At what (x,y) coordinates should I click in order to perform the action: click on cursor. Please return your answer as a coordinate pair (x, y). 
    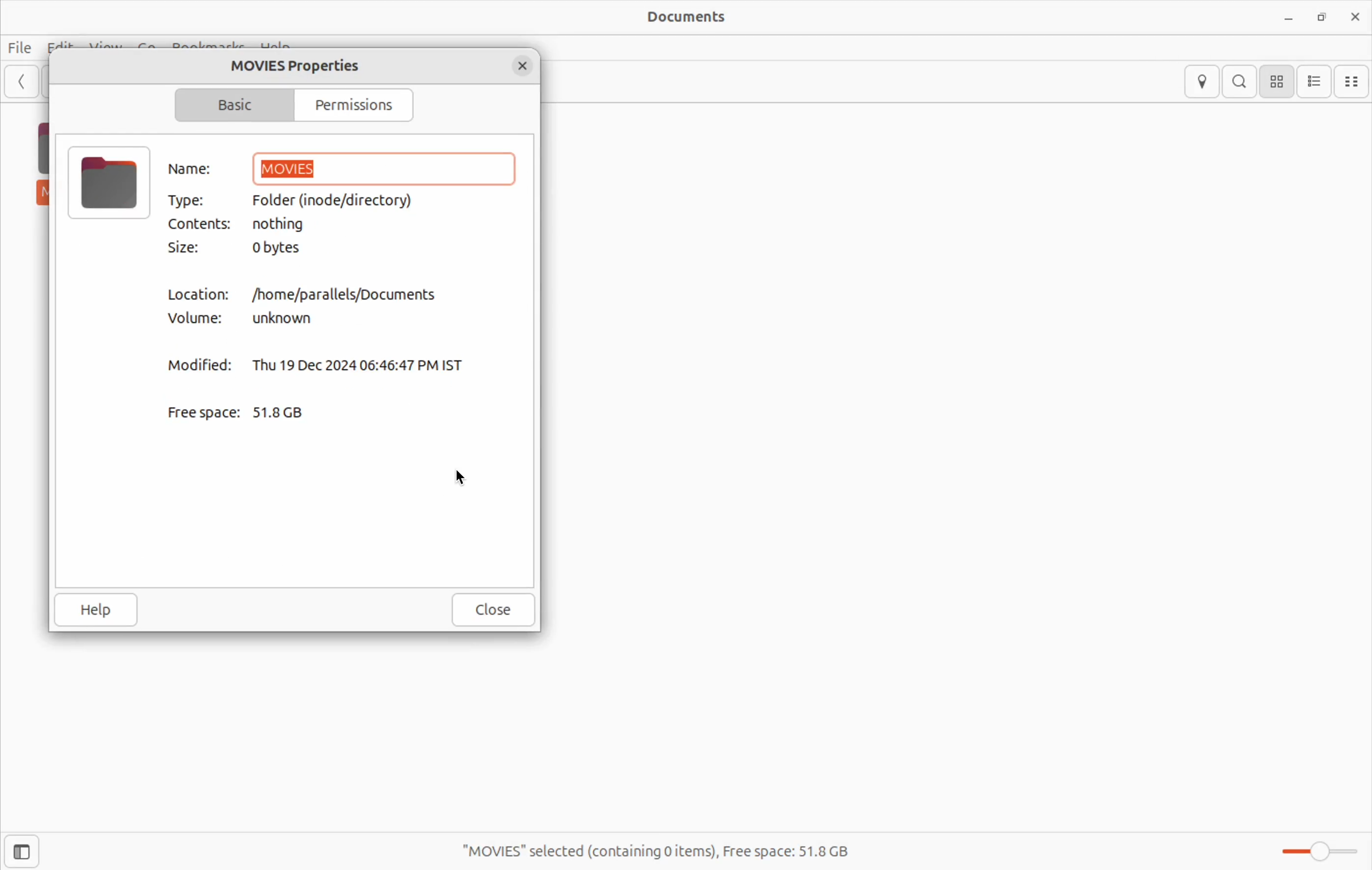
    Looking at the image, I should click on (464, 479).